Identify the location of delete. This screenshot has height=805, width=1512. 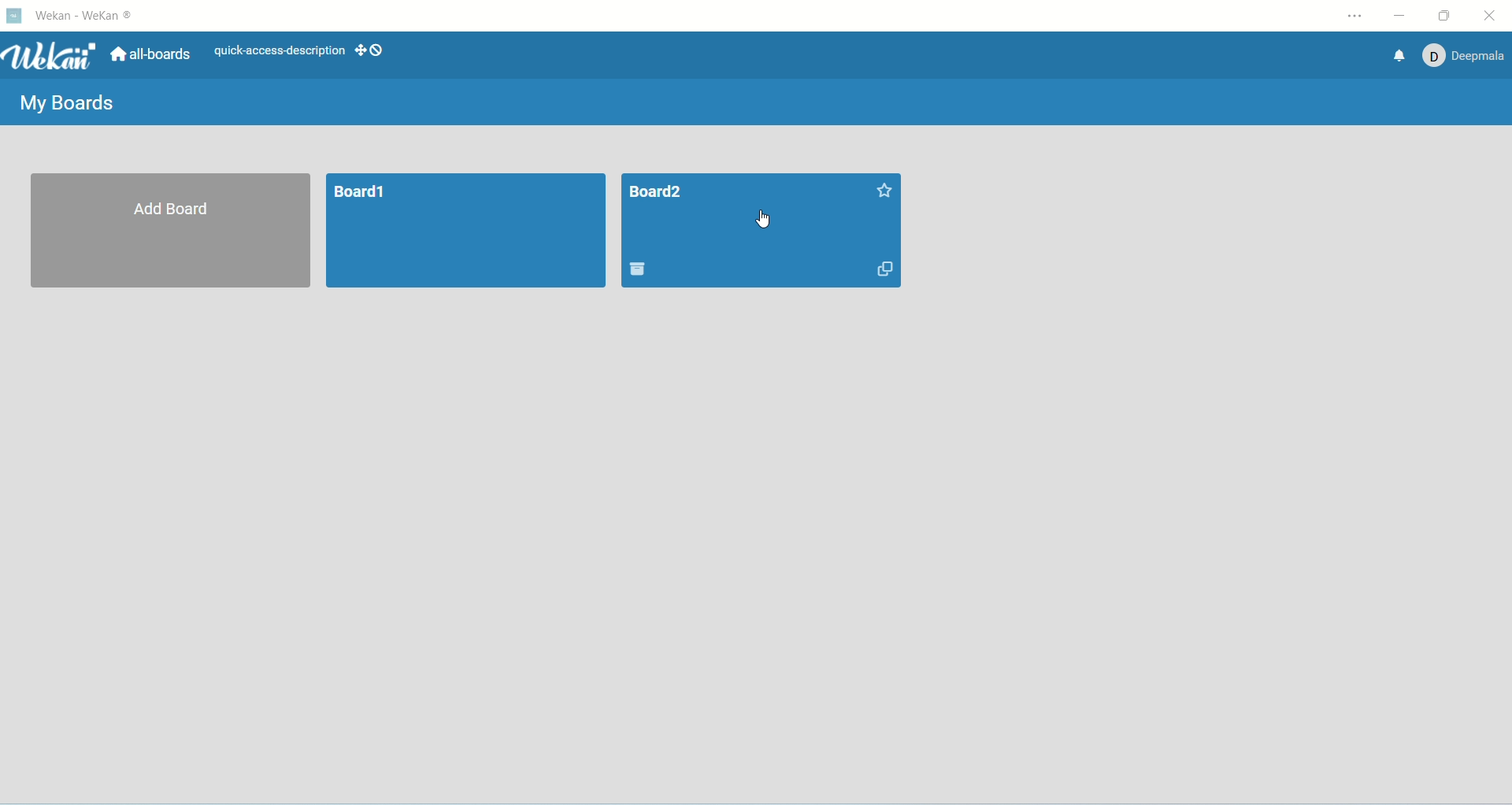
(639, 269).